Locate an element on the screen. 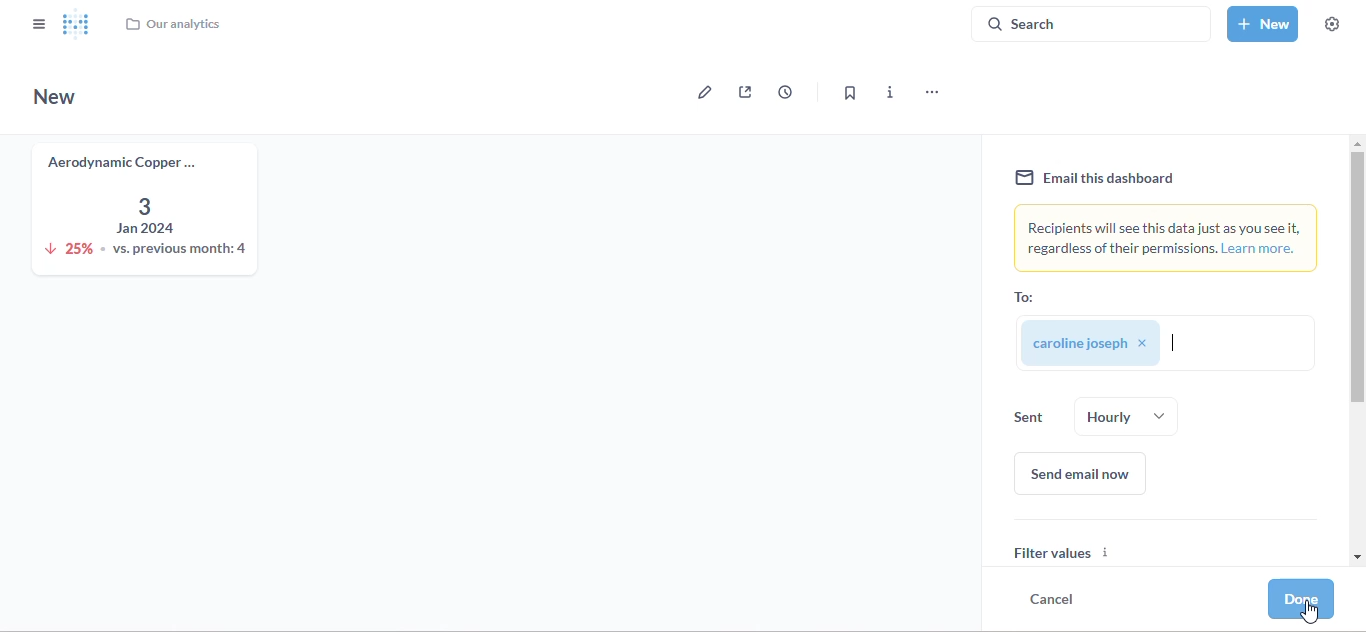 Image resolution: width=1366 pixels, height=632 pixels. send email now is located at coordinates (1082, 474).